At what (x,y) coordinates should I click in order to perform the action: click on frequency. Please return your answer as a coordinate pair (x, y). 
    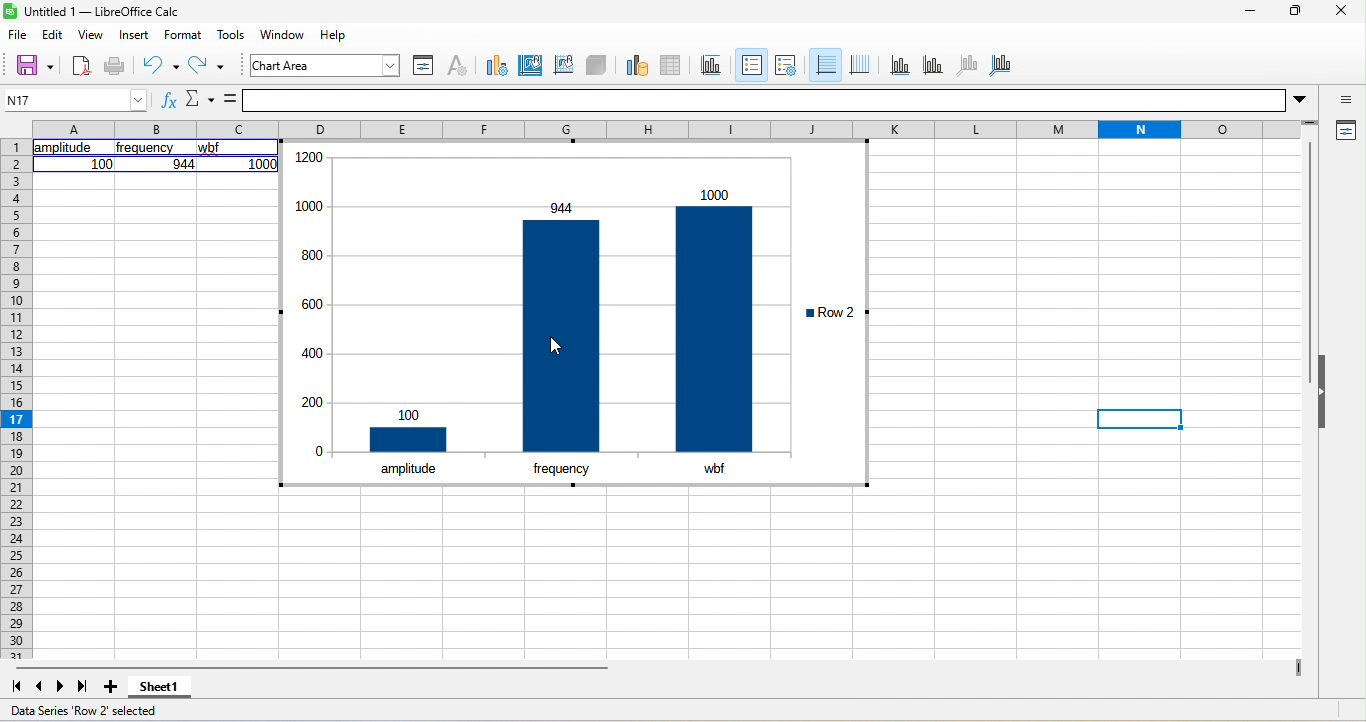
    Looking at the image, I should click on (146, 149).